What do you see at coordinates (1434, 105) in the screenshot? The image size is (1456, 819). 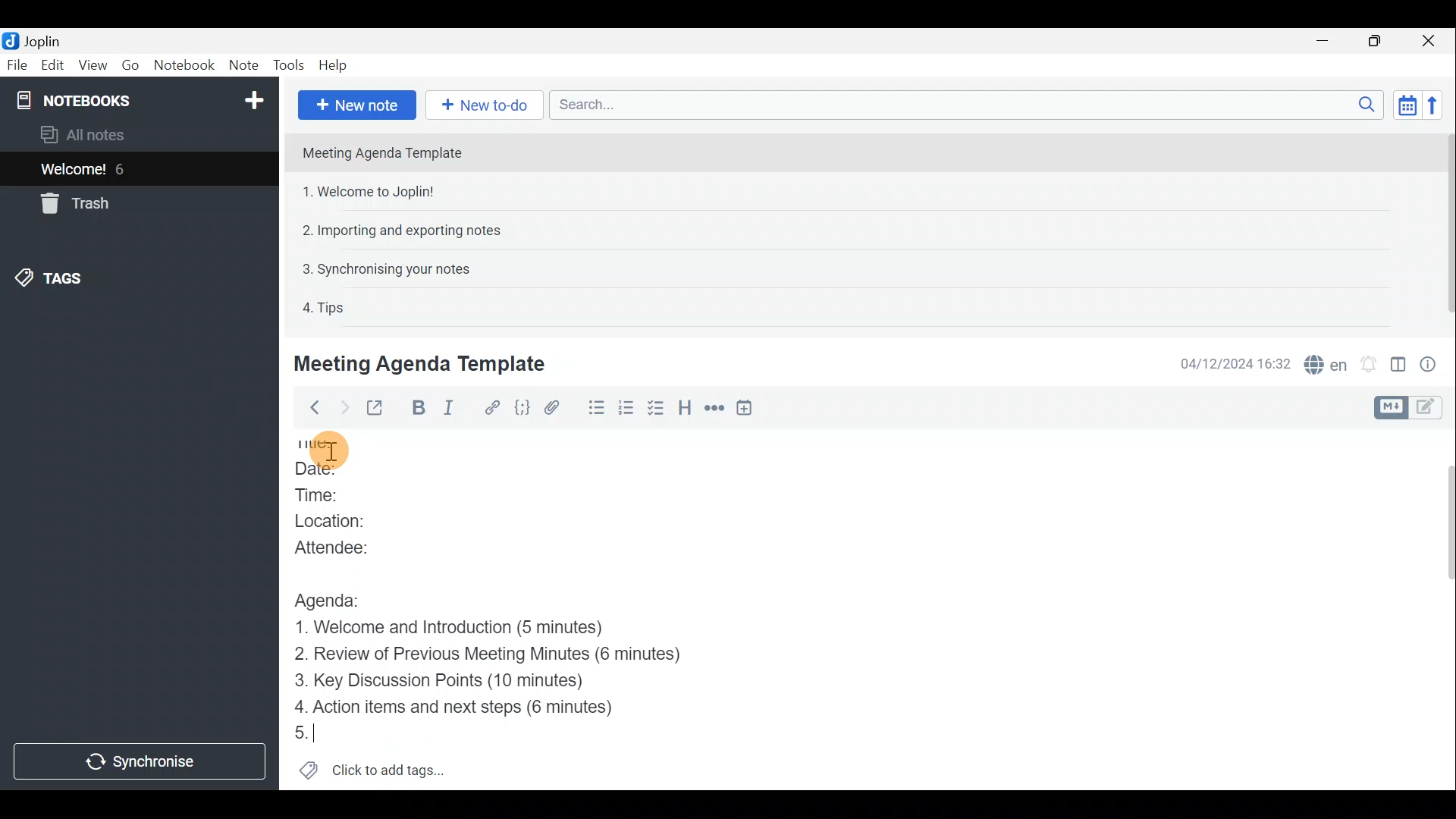 I see `Reverse sort order` at bounding box center [1434, 105].